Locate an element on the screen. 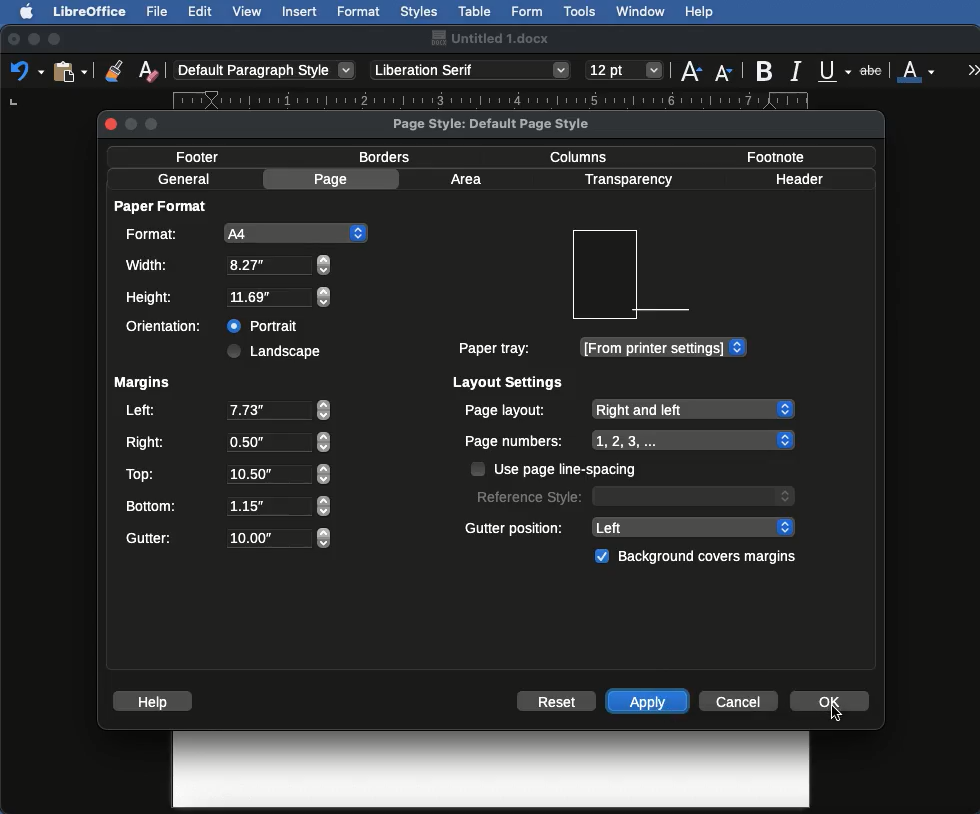   is located at coordinates (835, 711).